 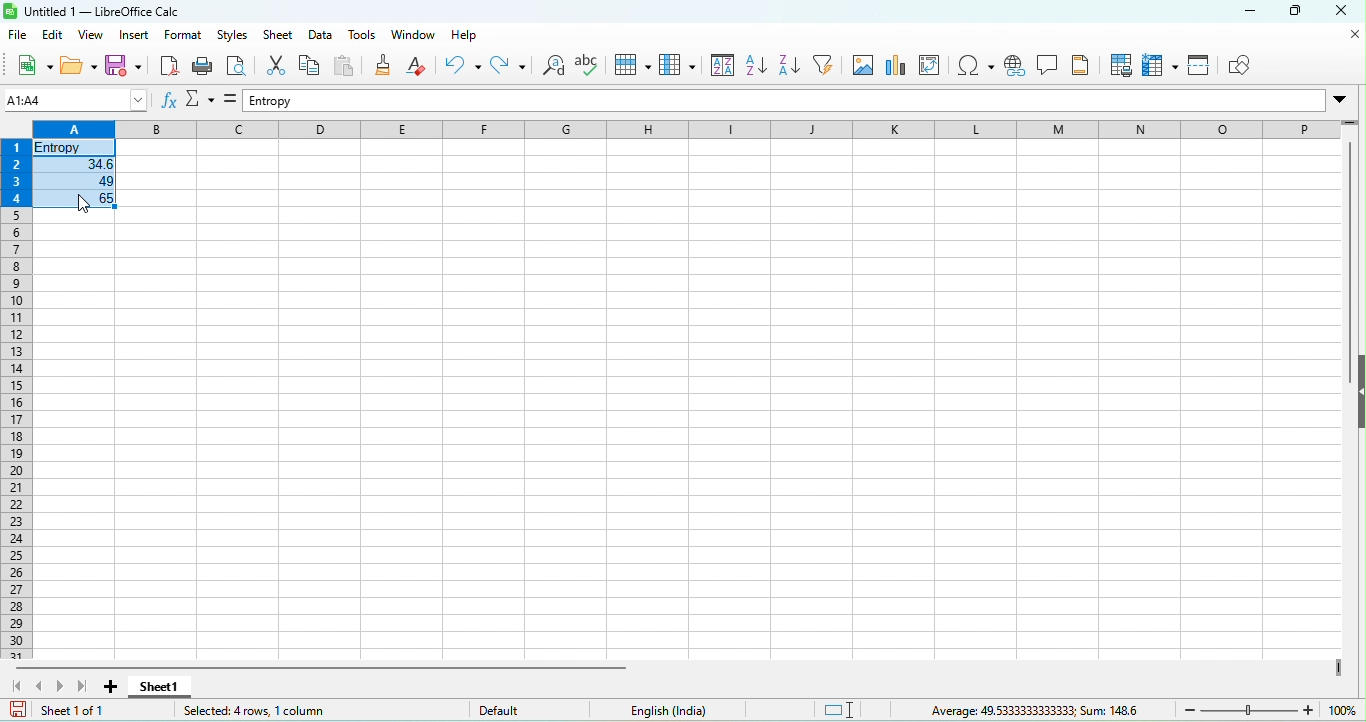 What do you see at coordinates (900, 65) in the screenshot?
I see `chart` at bounding box center [900, 65].